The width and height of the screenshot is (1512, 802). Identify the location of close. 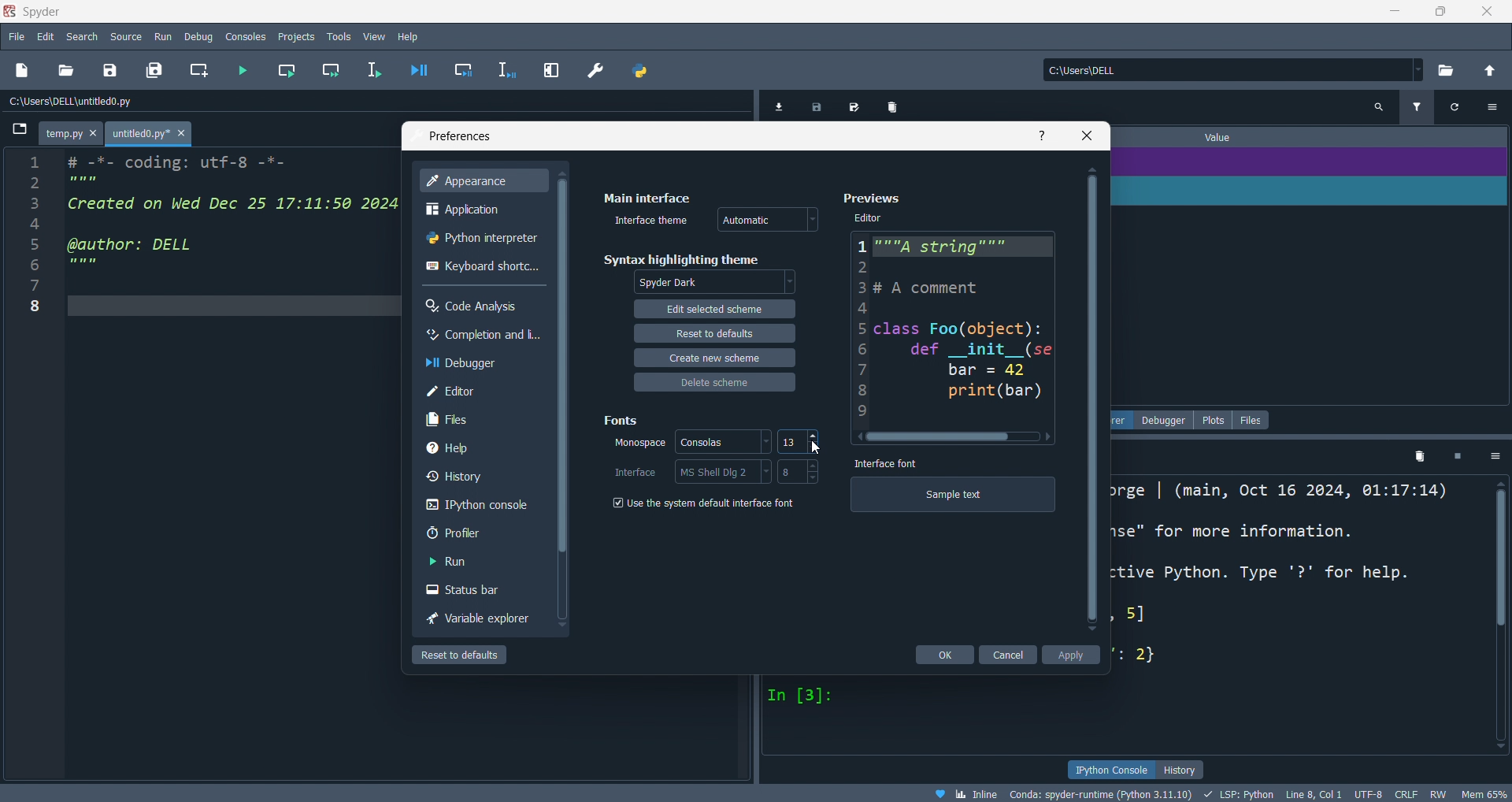
(1488, 13).